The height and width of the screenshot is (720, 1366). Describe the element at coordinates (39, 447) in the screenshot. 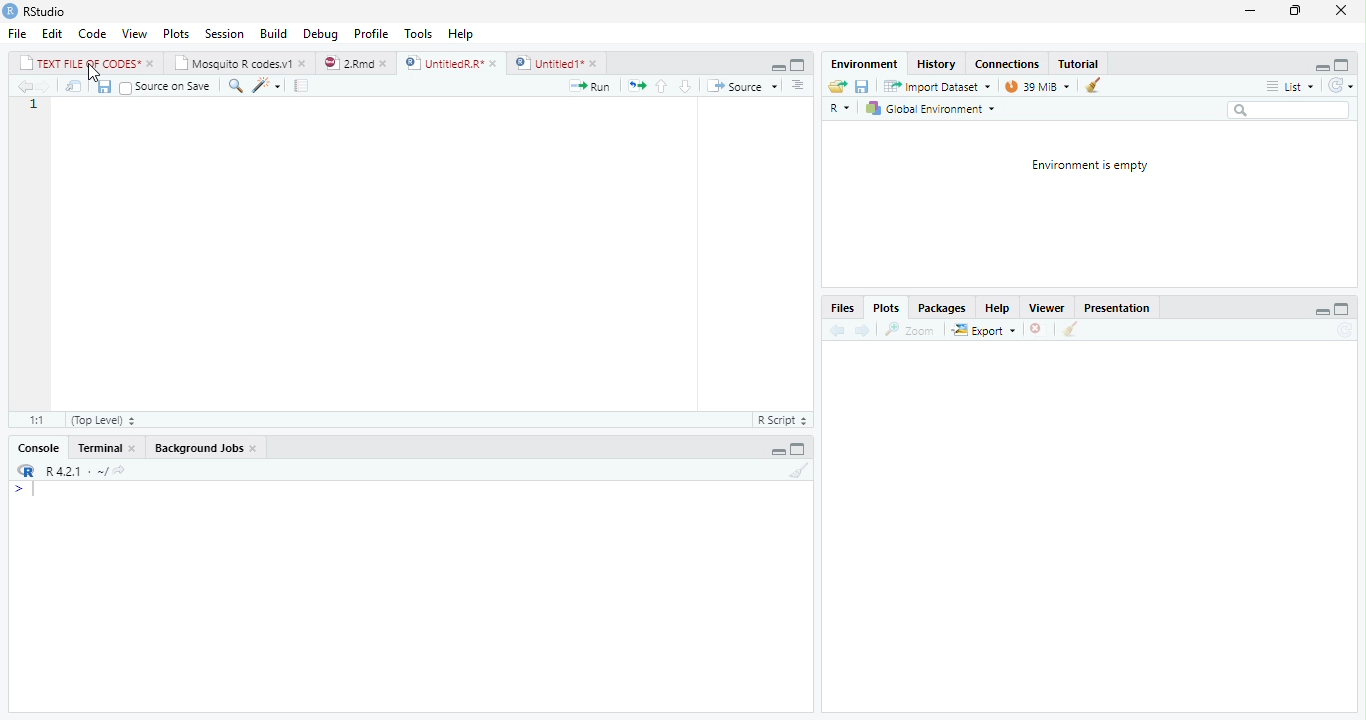

I see `Console` at that location.